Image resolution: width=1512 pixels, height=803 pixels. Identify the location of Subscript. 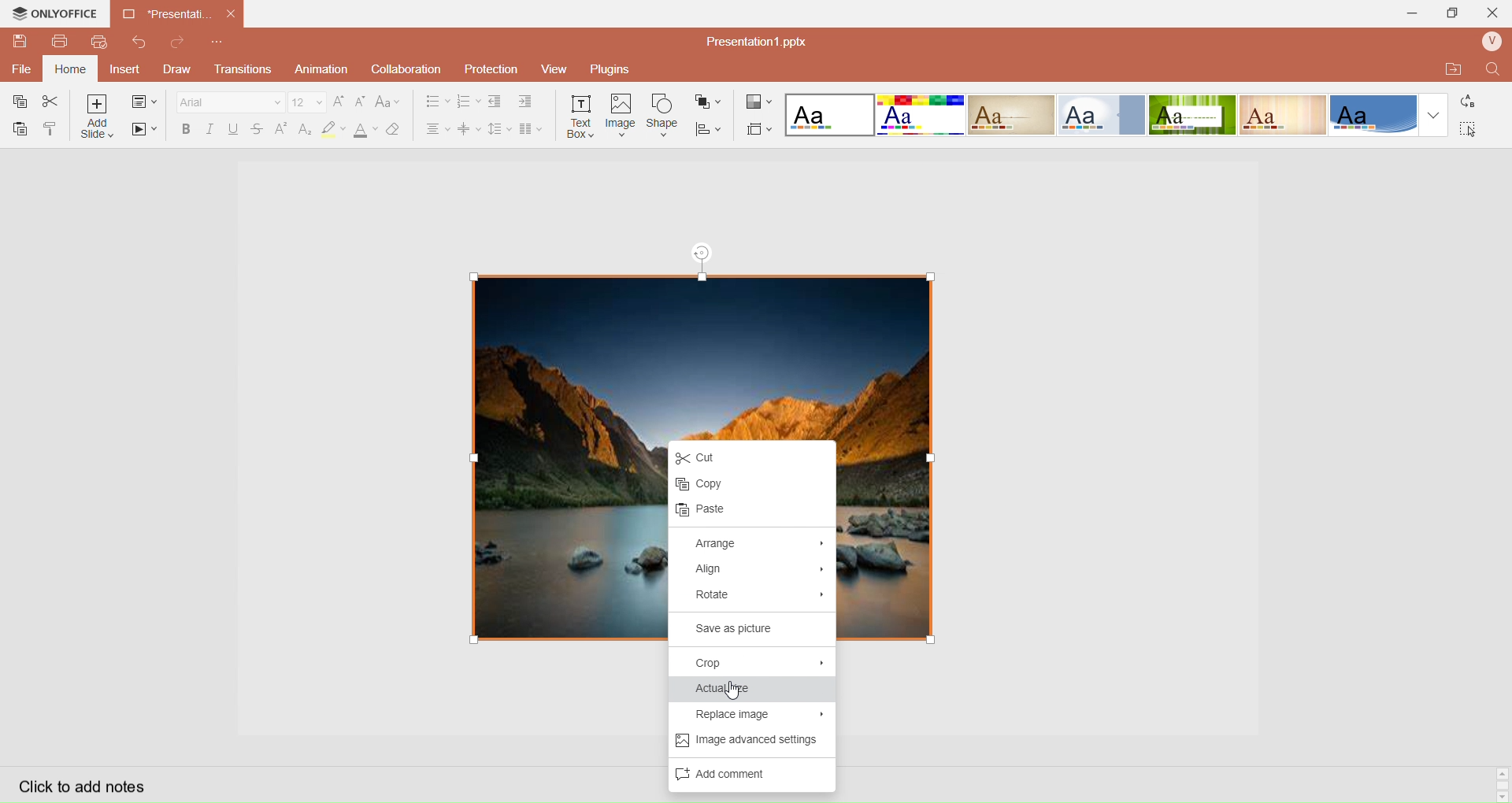
(306, 130).